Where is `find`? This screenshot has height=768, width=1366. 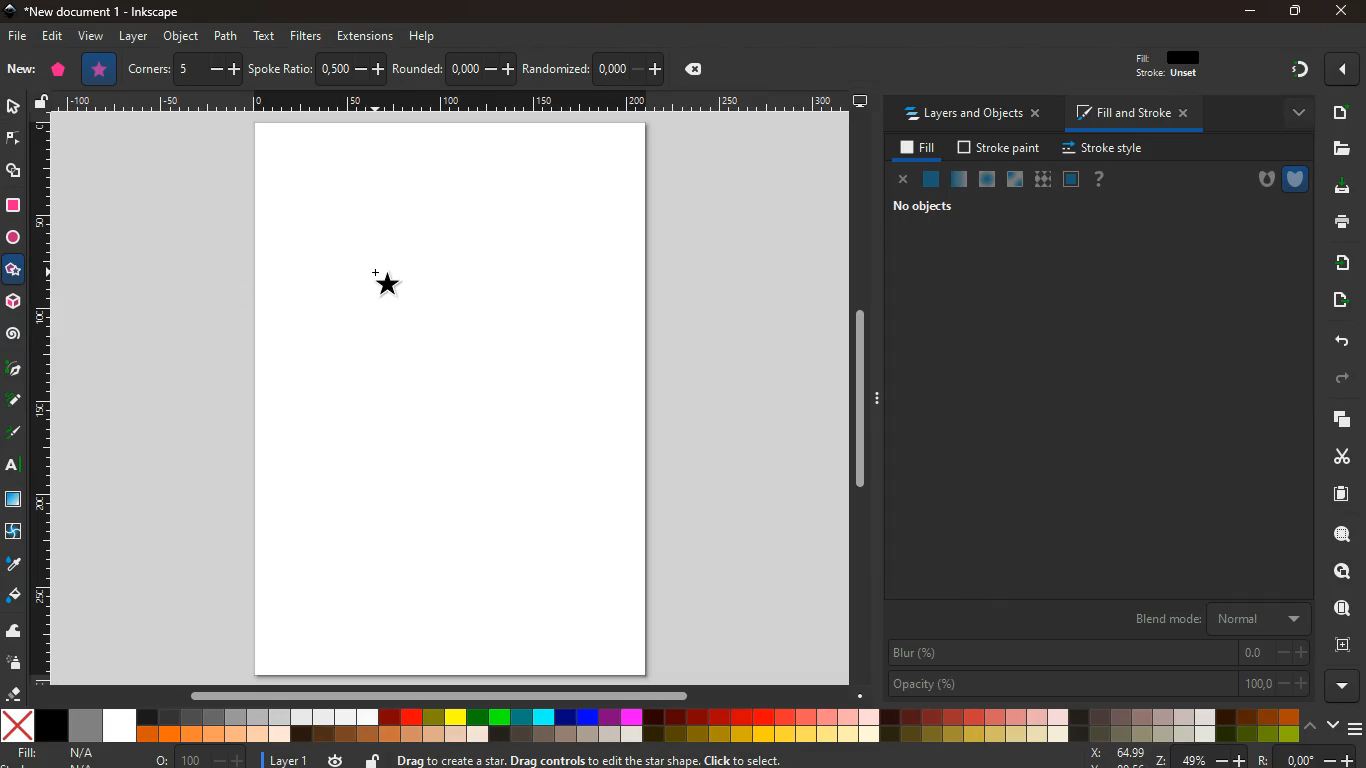
find is located at coordinates (1338, 608).